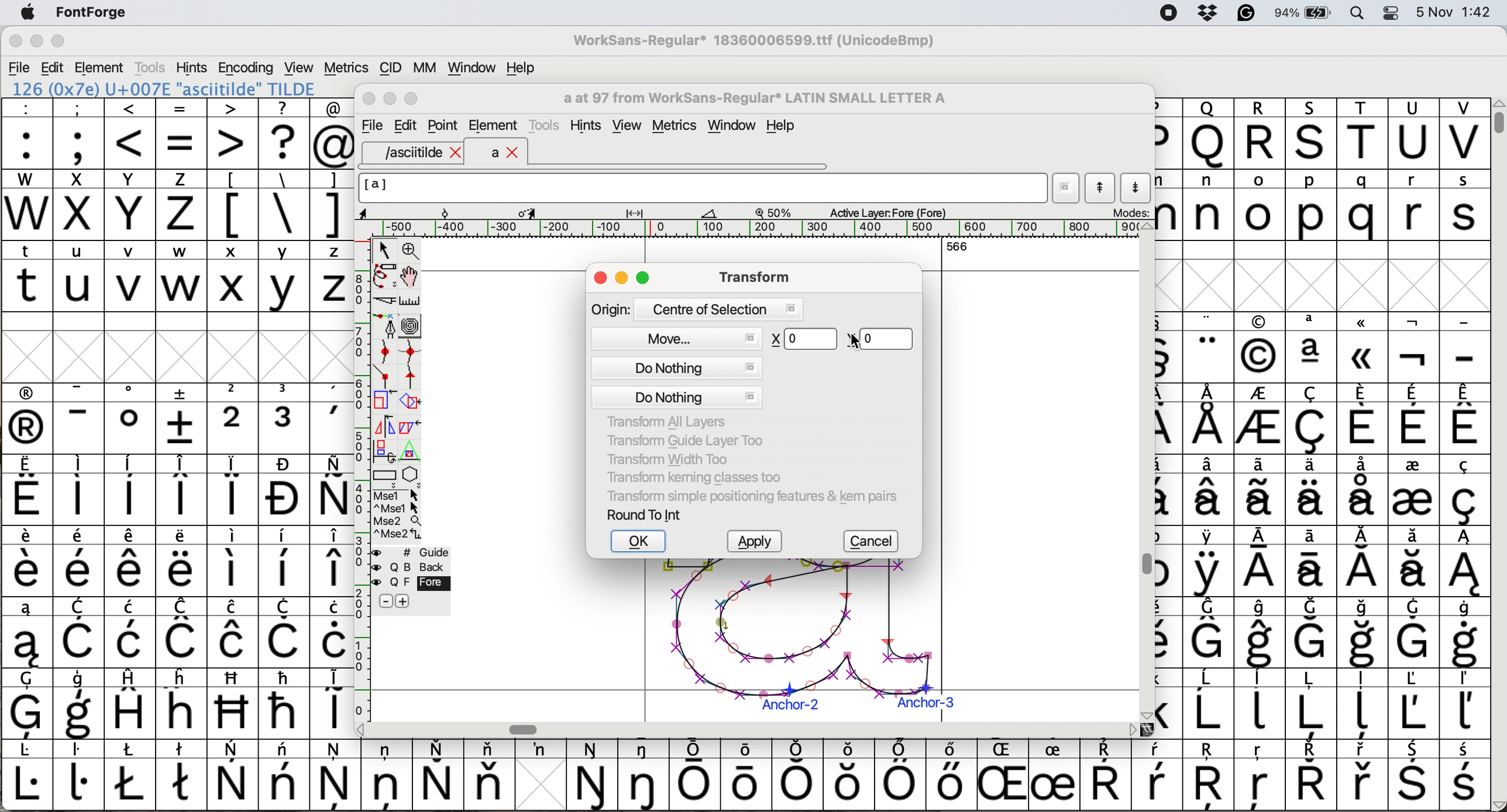 The image size is (1507, 812). What do you see at coordinates (424, 567) in the screenshot?
I see `Background` at bounding box center [424, 567].